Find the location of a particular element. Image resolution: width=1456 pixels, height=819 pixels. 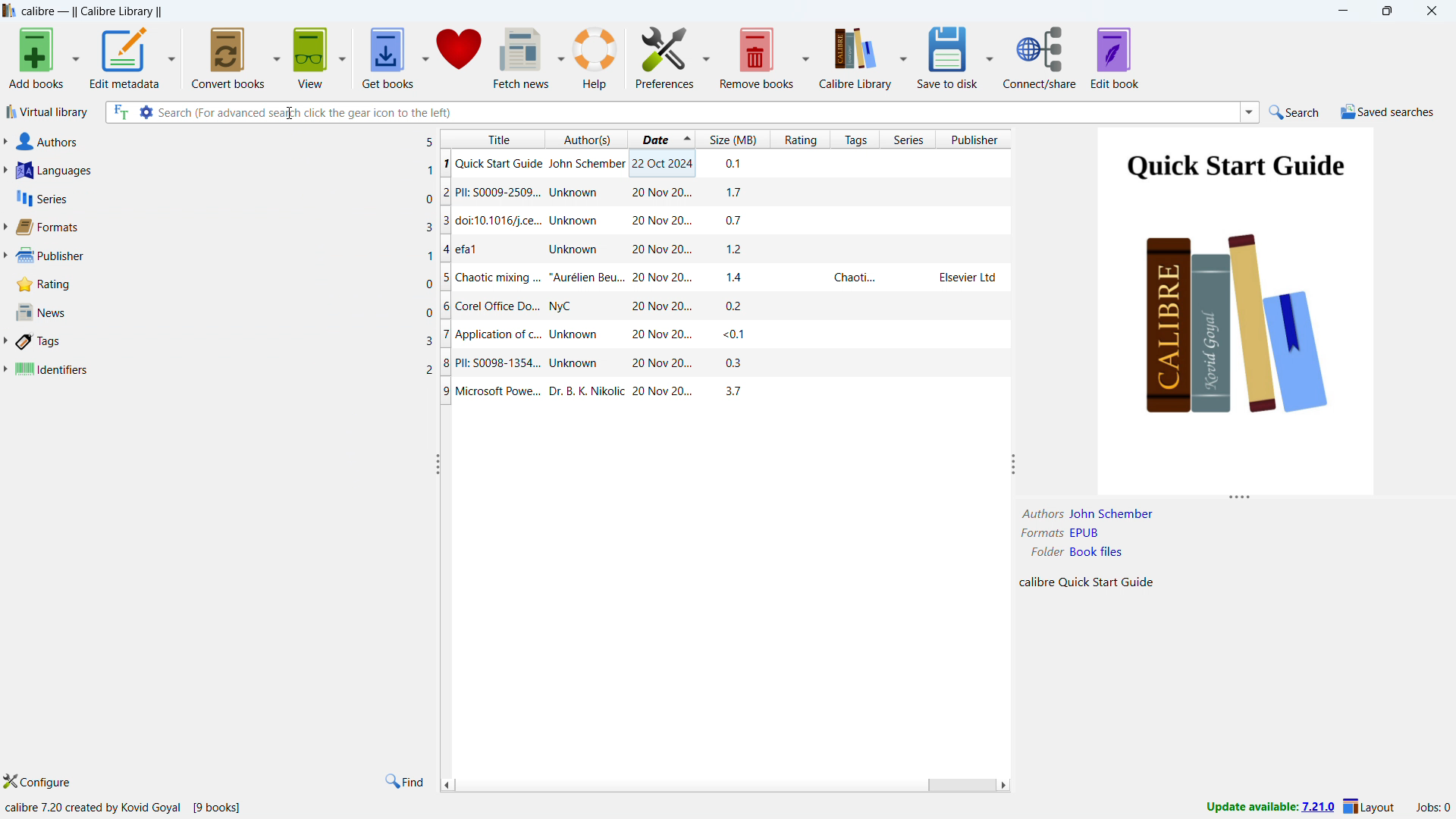

search history is located at coordinates (1249, 111).